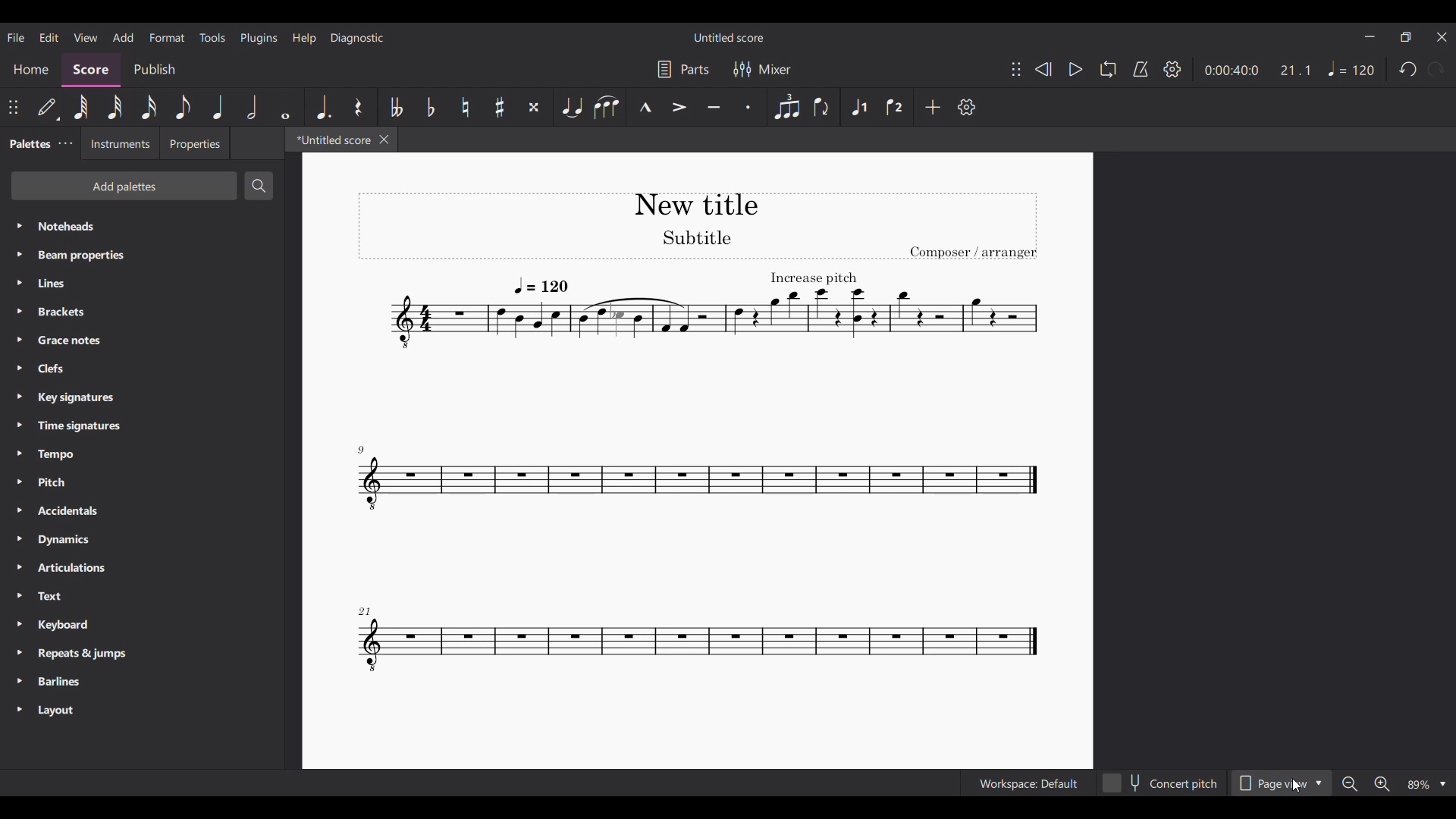 Image resolution: width=1456 pixels, height=819 pixels. I want to click on Rewind, so click(1043, 69).